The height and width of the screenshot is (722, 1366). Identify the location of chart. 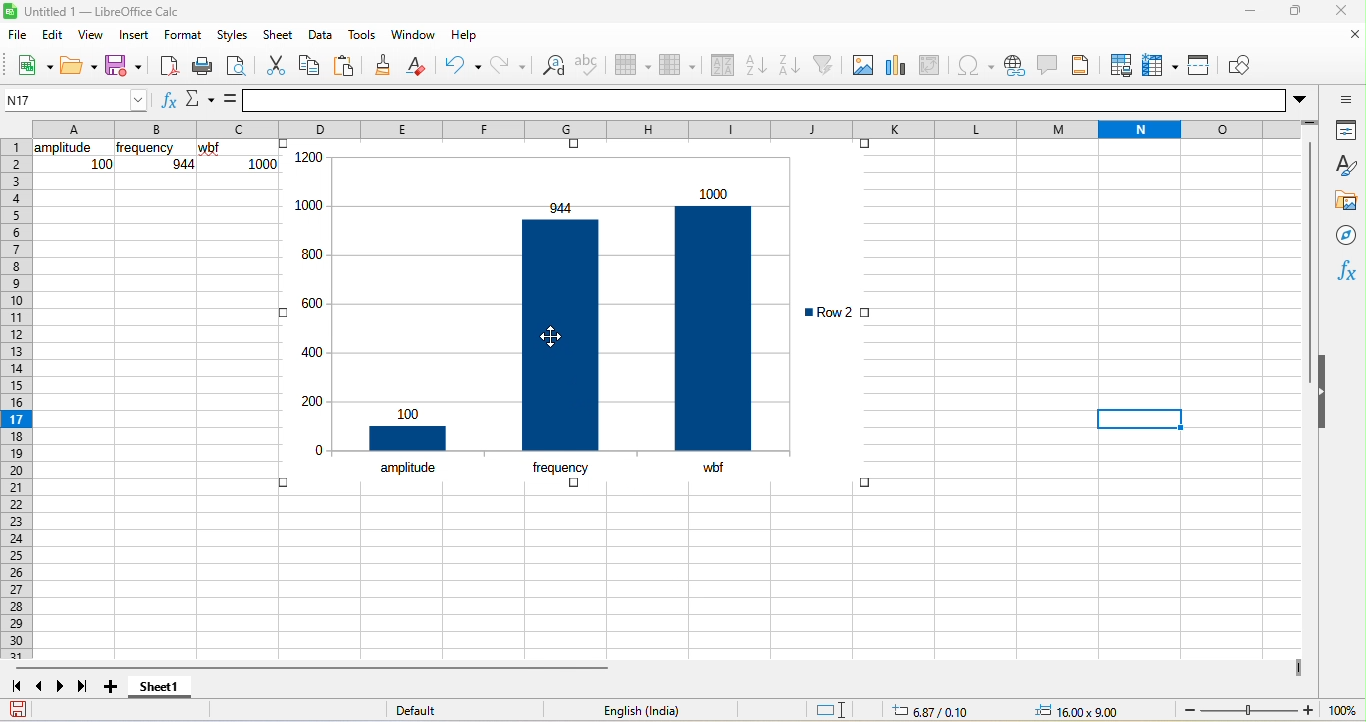
(537, 296).